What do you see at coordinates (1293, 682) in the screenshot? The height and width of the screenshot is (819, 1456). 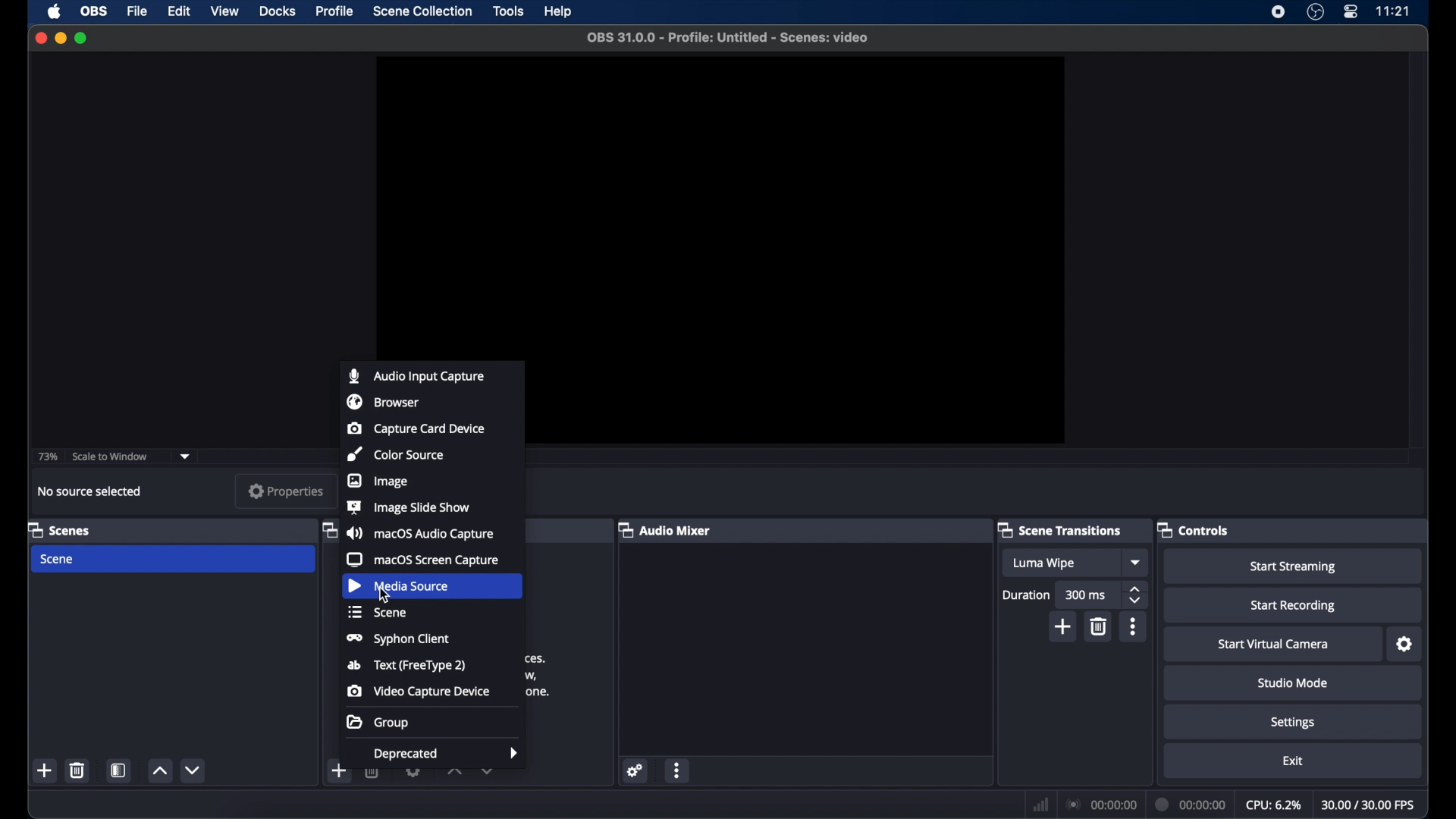 I see `studio mode` at bounding box center [1293, 682].